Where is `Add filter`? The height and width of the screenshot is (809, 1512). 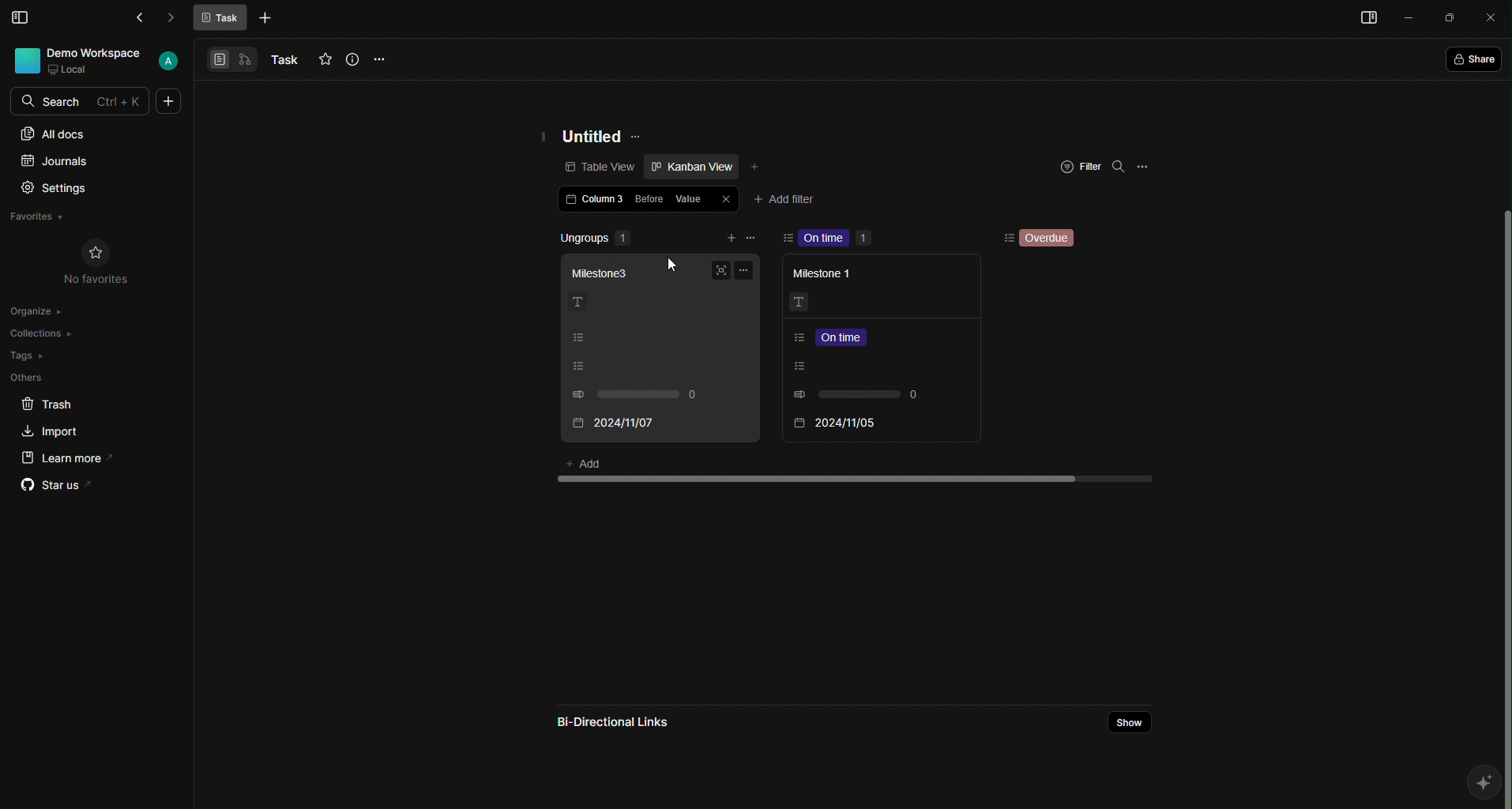 Add filter is located at coordinates (784, 197).